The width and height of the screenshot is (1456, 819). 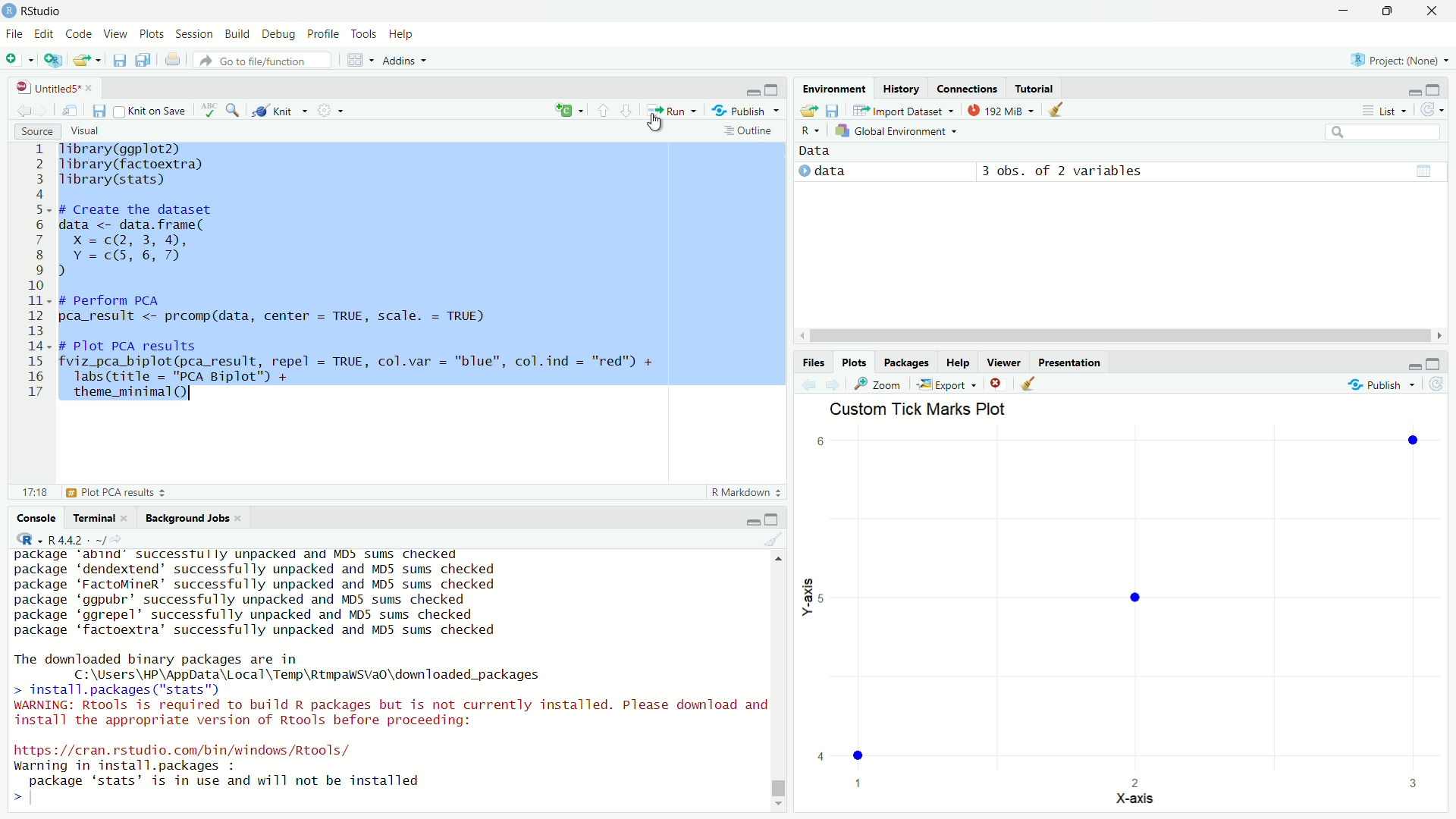 What do you see at coordinates (661, 121) in the screenshot?
I see `cursor` at bounding box center [661, 121].